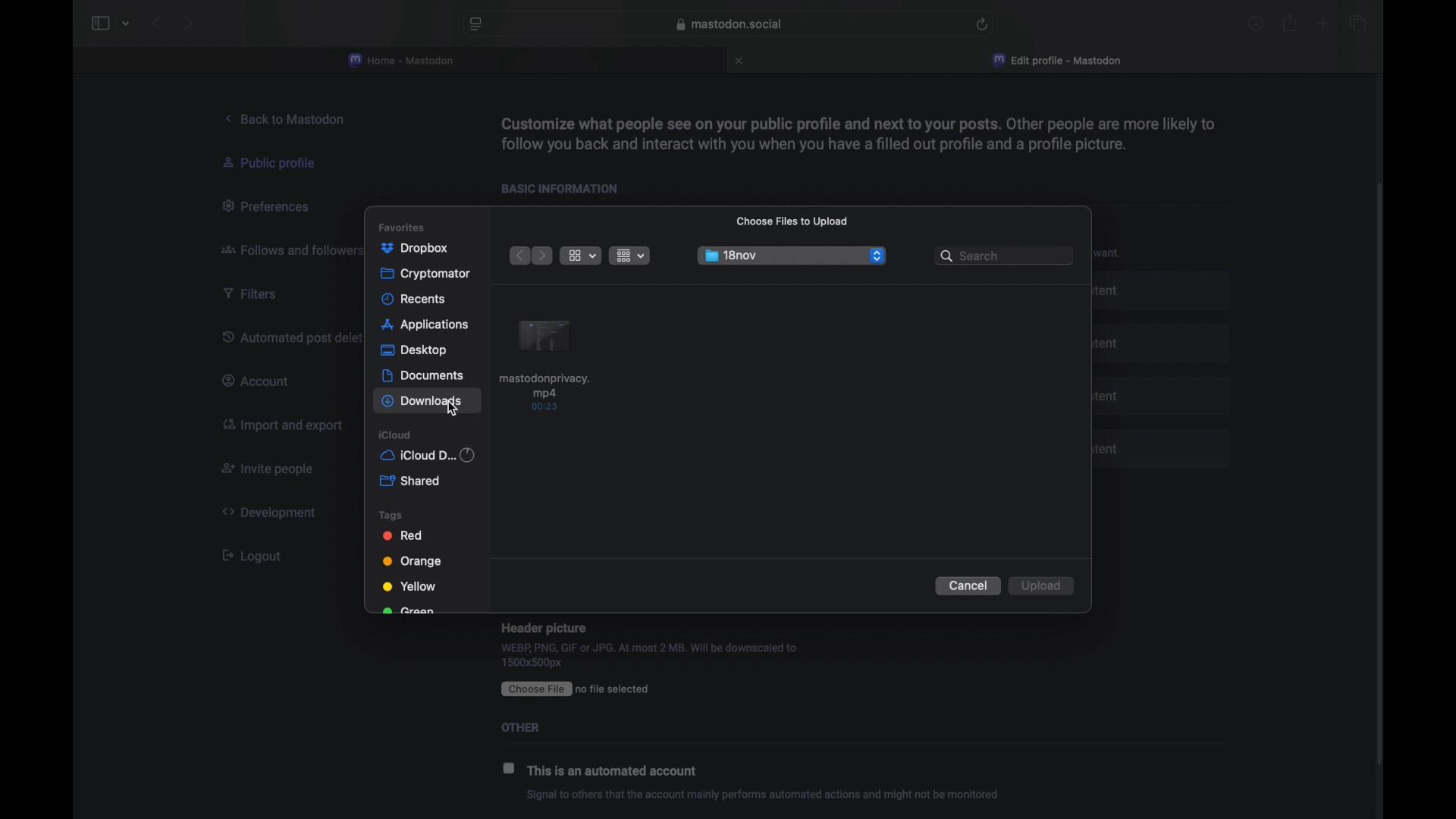 This screenshot has width=1456, height=819. What do you see at coordinates (403, 535) in the screenshot?
I see `red` at bounding box center [403, 535].